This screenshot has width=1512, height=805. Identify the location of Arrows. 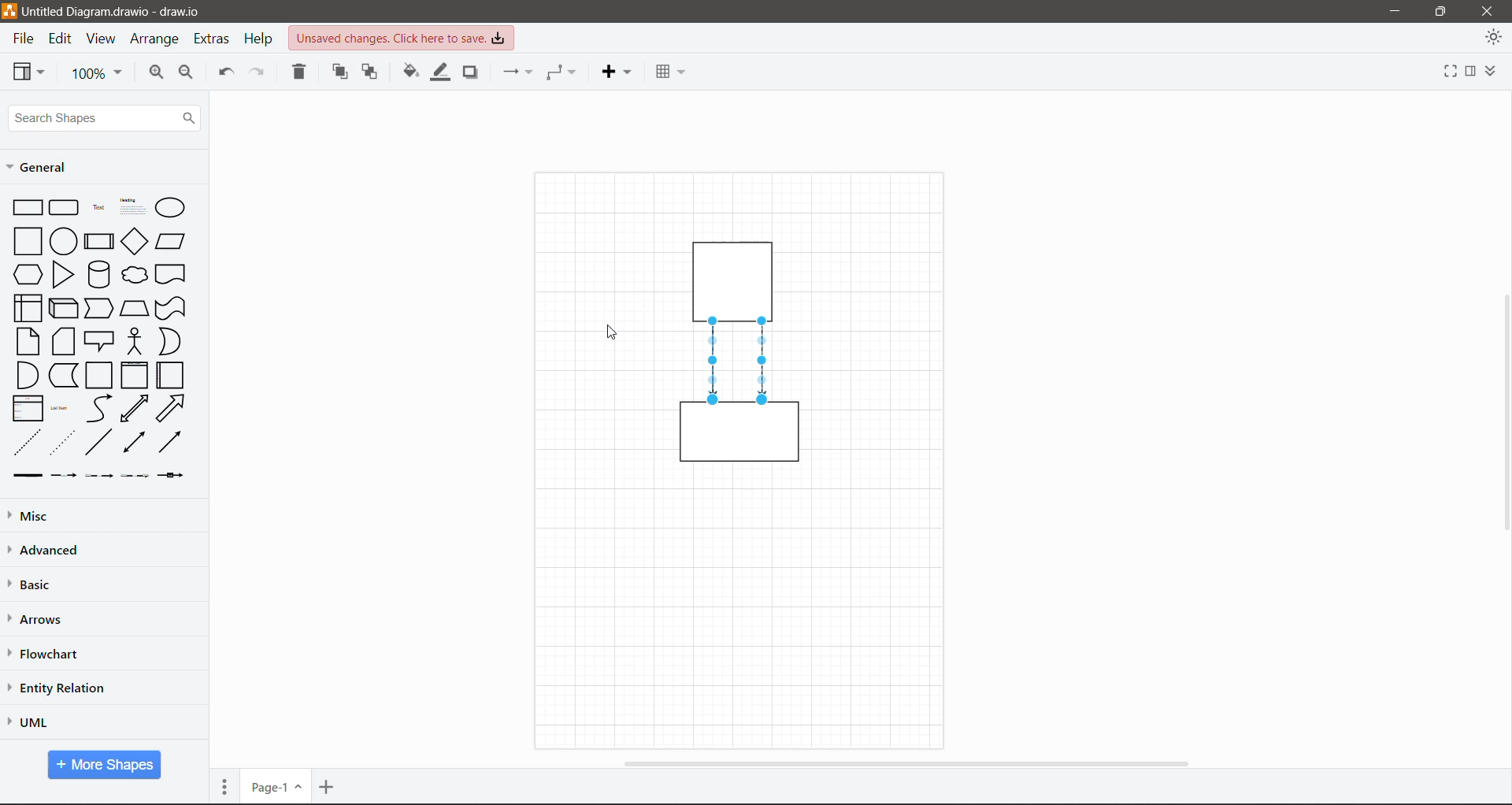
(39, 620).